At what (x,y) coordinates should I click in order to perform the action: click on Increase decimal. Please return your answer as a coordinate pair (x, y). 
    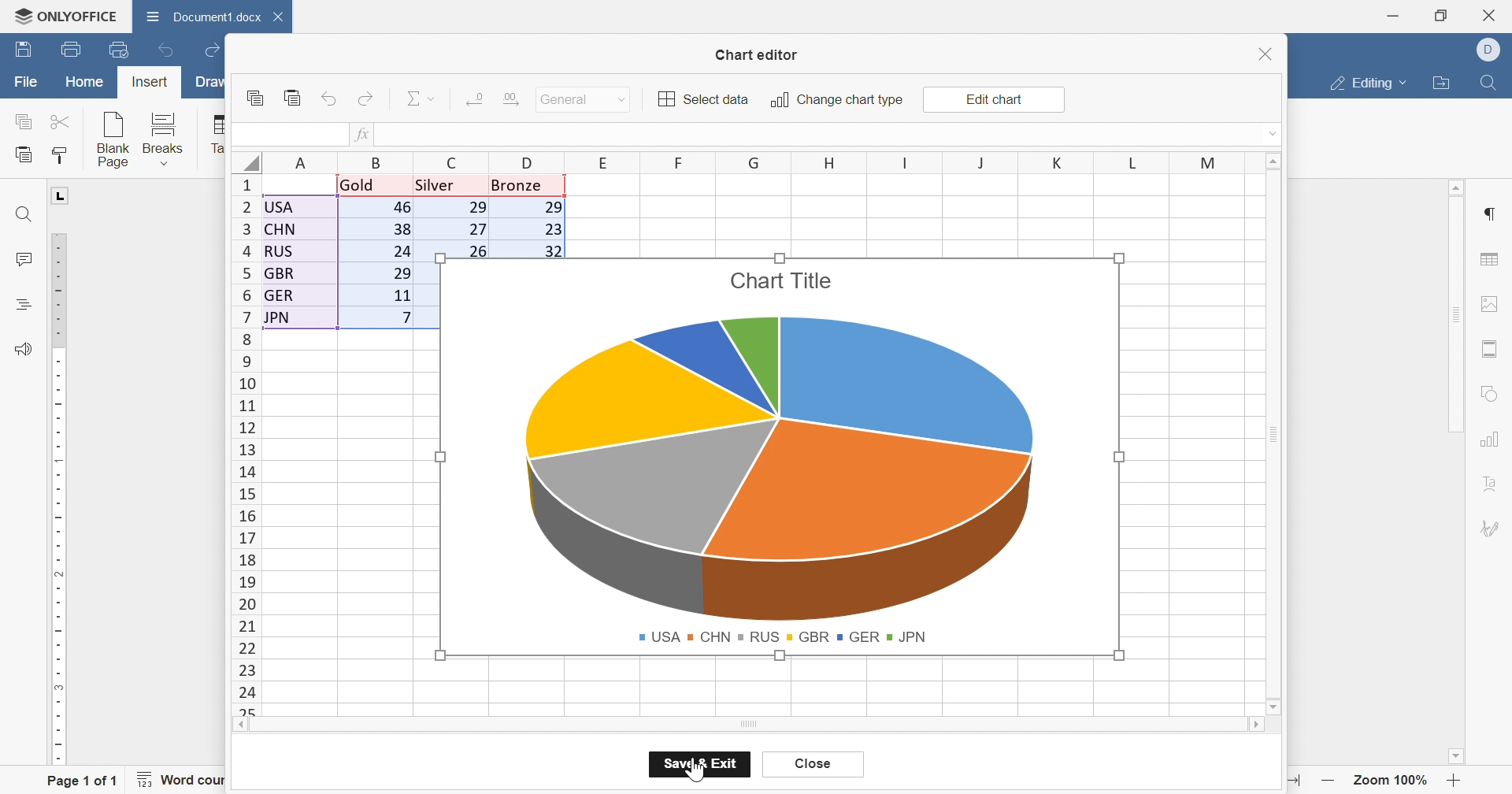
    Looking at the image, I should click on (510, 99).